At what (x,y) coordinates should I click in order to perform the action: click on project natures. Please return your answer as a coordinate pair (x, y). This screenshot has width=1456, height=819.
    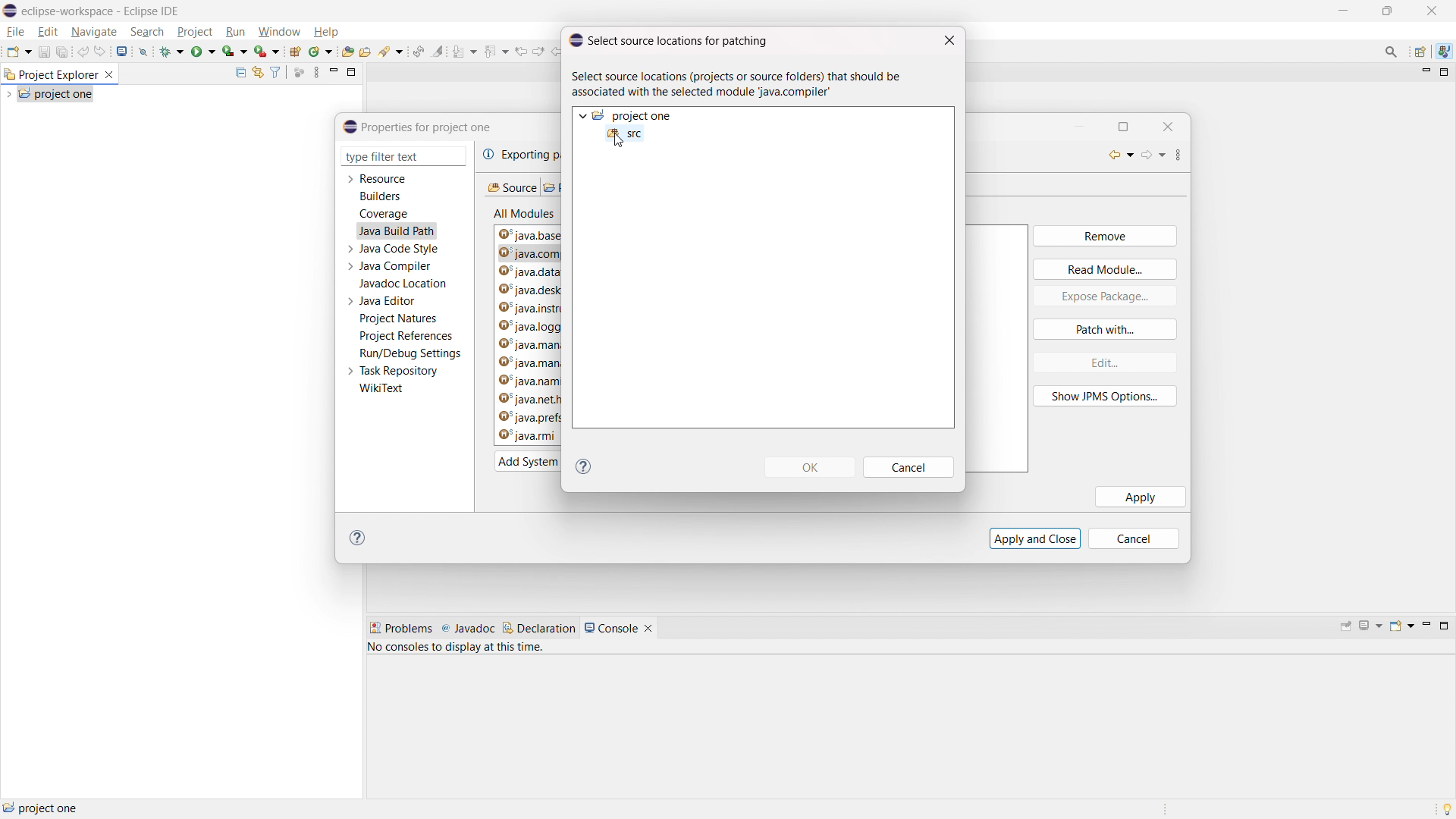
    Looking at the image, I should click on (399, 318).